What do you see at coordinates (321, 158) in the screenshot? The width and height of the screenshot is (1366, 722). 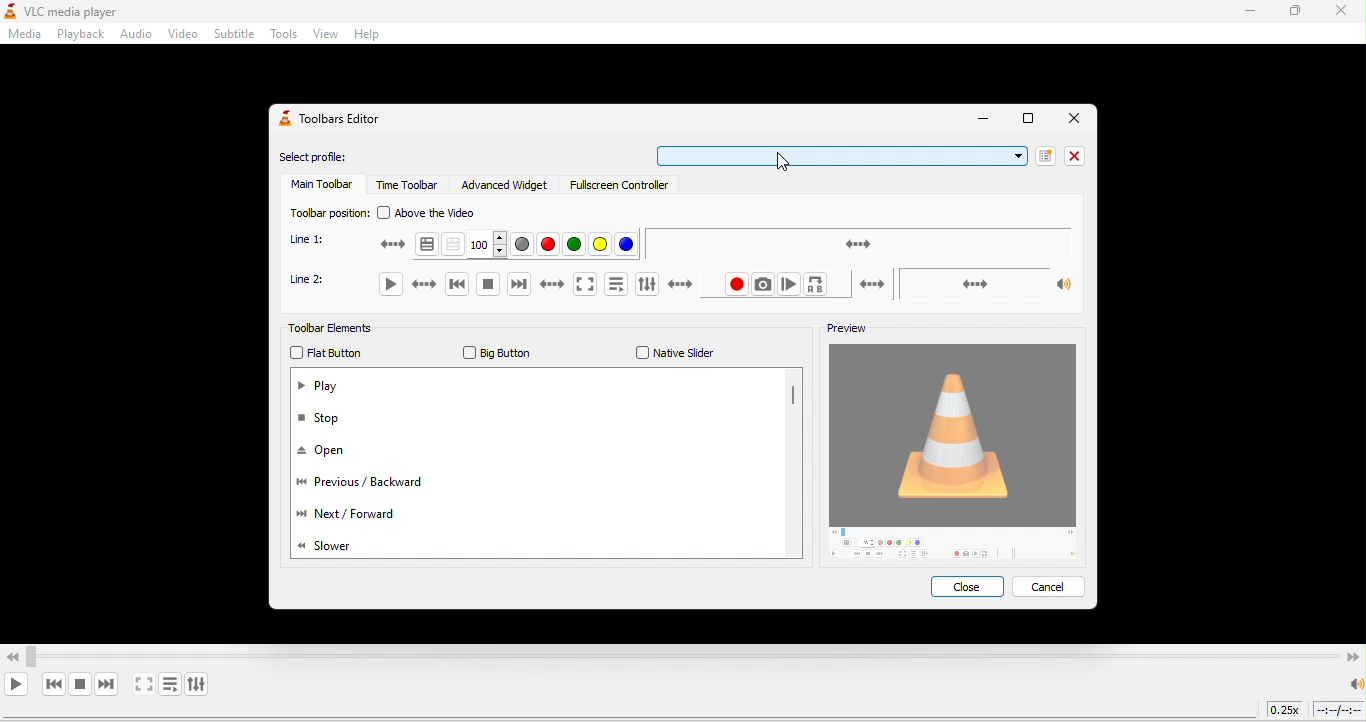 I see `select profile` at bounding box center [321, 158].